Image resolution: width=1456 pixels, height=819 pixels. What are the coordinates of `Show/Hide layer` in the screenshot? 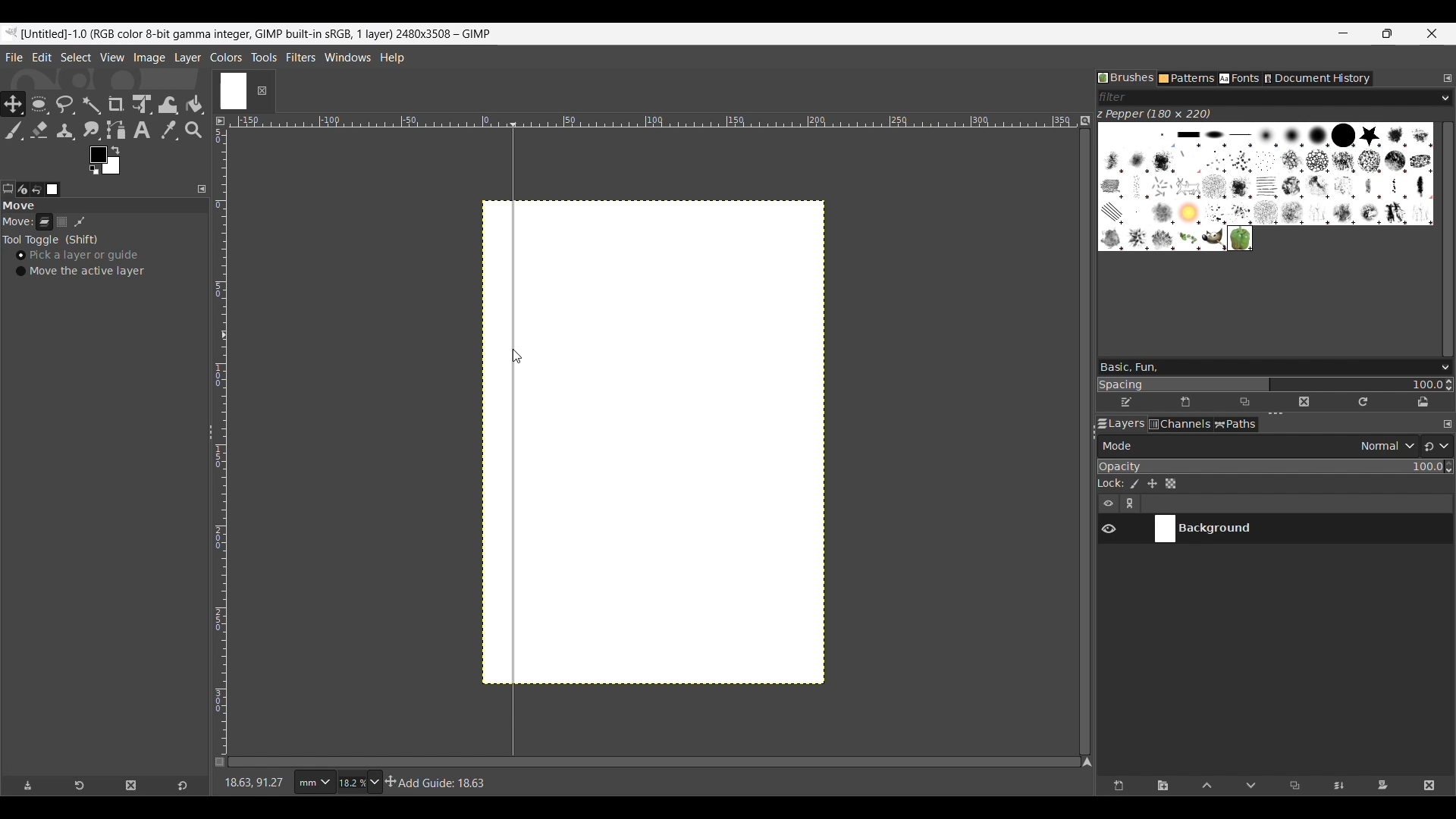 It's located at (1109, 529).